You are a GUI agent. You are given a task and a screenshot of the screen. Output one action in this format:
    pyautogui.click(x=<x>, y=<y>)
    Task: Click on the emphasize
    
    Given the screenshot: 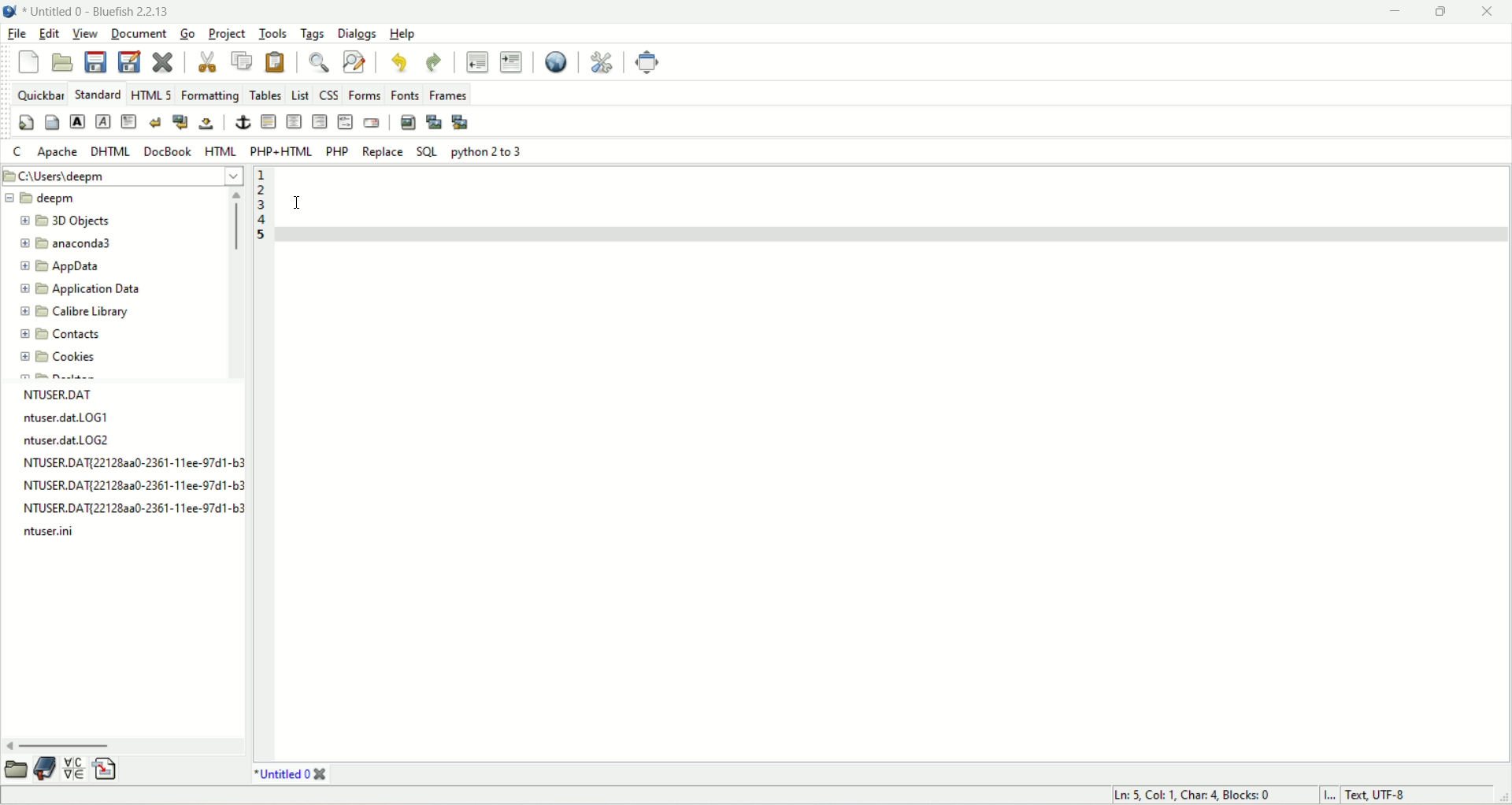 What is the action you would take?
    pyautogui.click(x=108, y=121)
    